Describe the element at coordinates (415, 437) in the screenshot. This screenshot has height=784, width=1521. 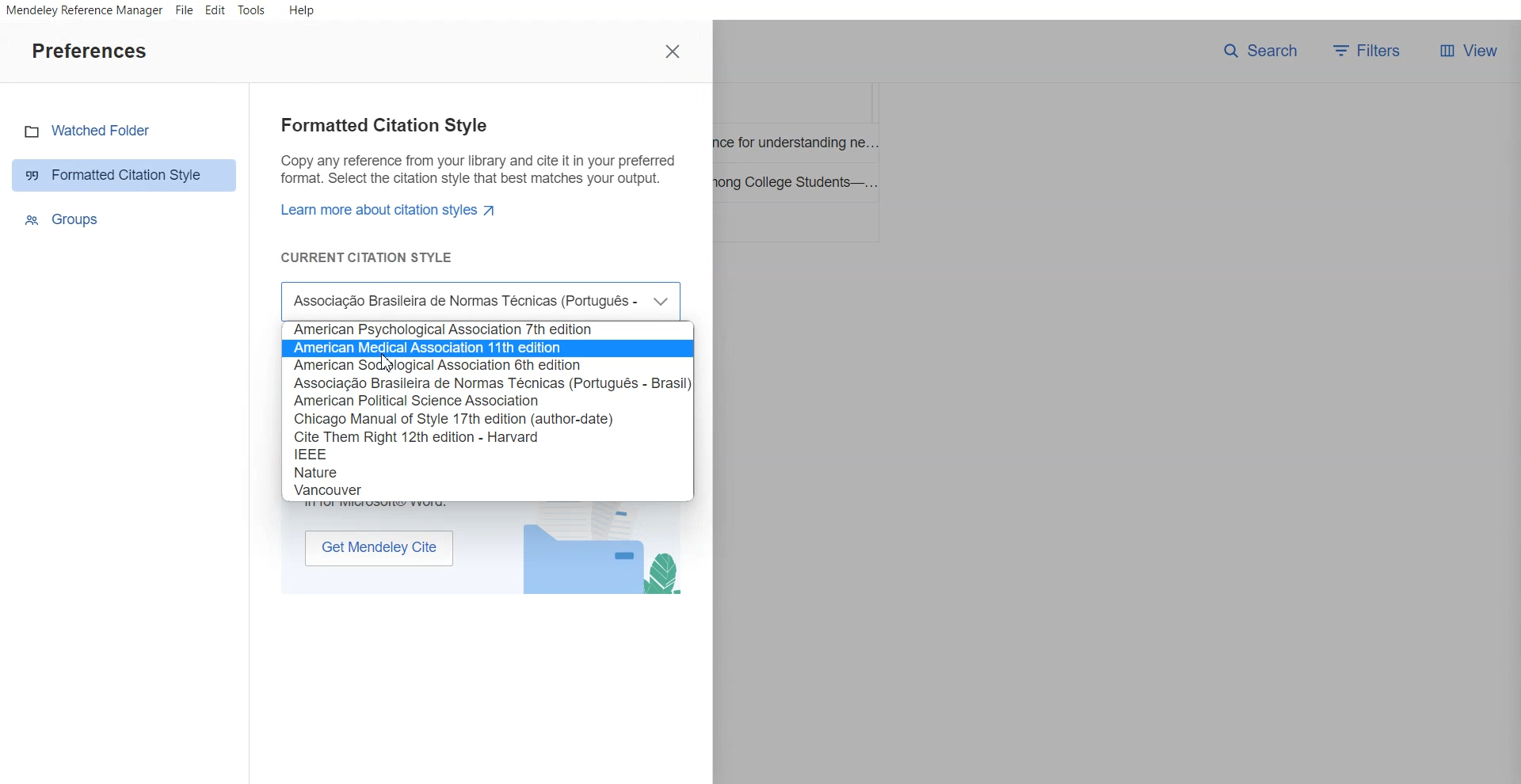
I see `Citation` at that location.